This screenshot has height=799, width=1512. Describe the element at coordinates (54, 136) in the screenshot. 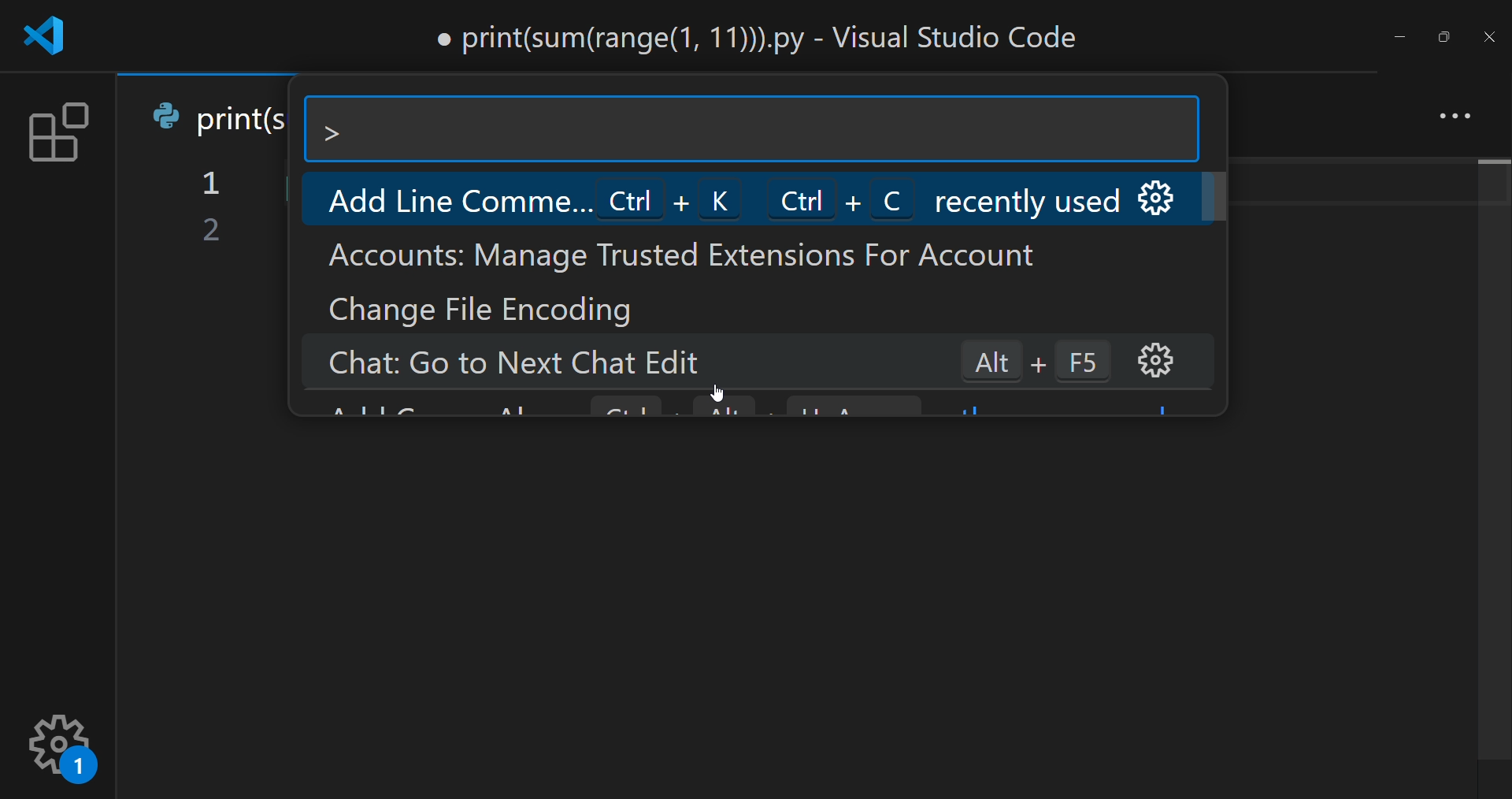

I see `extension` at that location.